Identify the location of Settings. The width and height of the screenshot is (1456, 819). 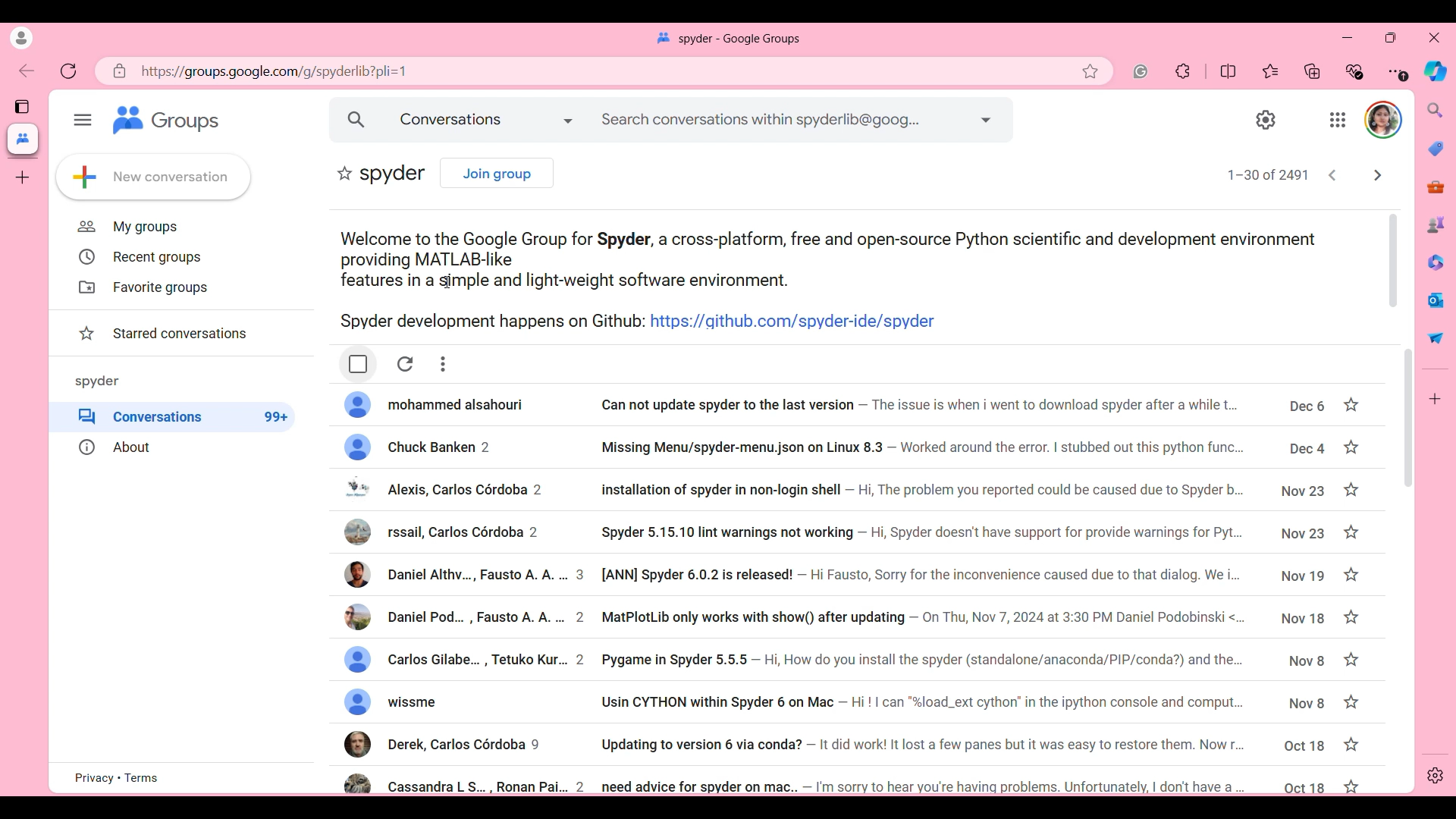
(1266, 120).